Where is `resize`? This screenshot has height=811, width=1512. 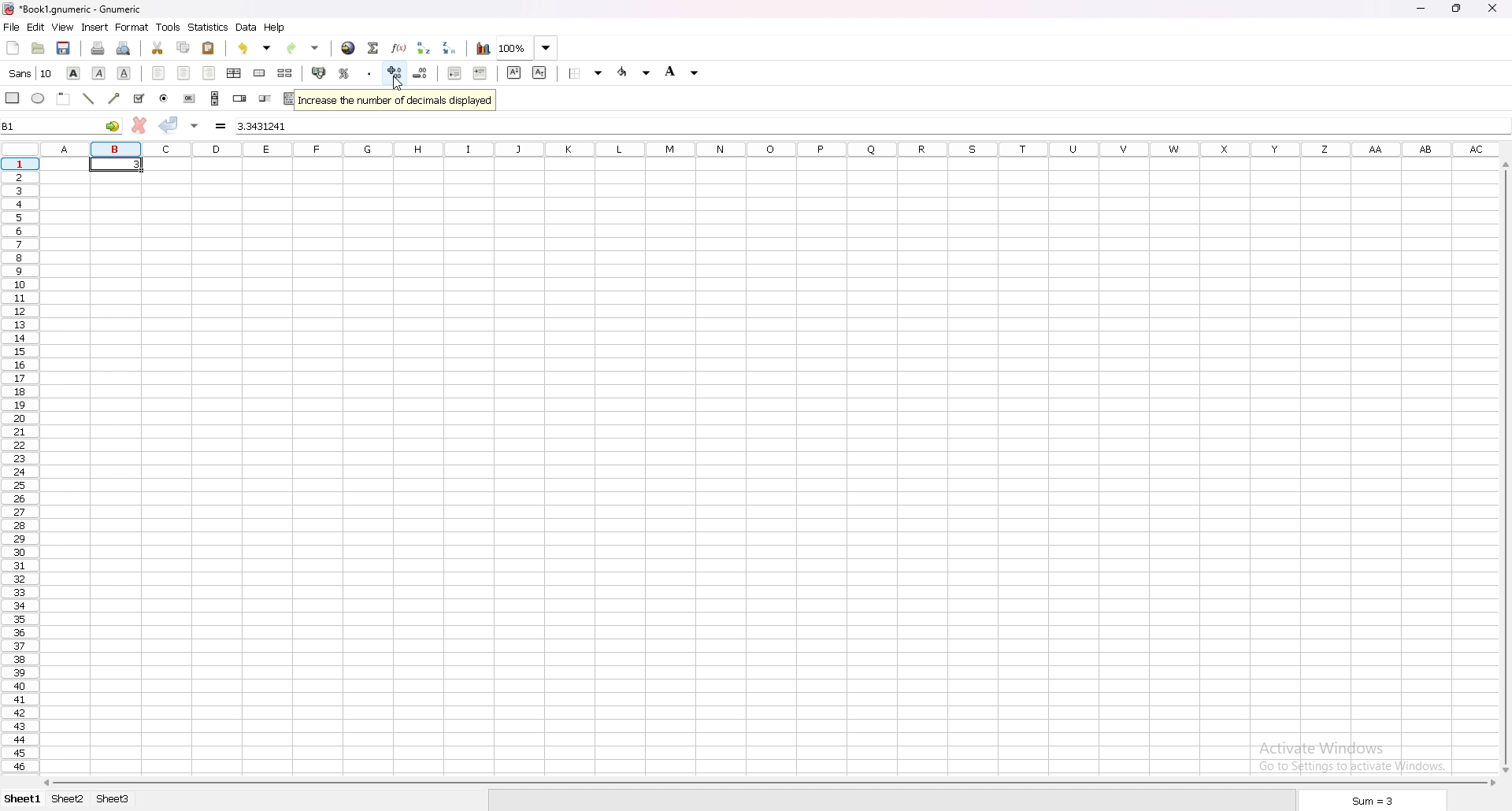
resize is located at coordinates (1458, 8).